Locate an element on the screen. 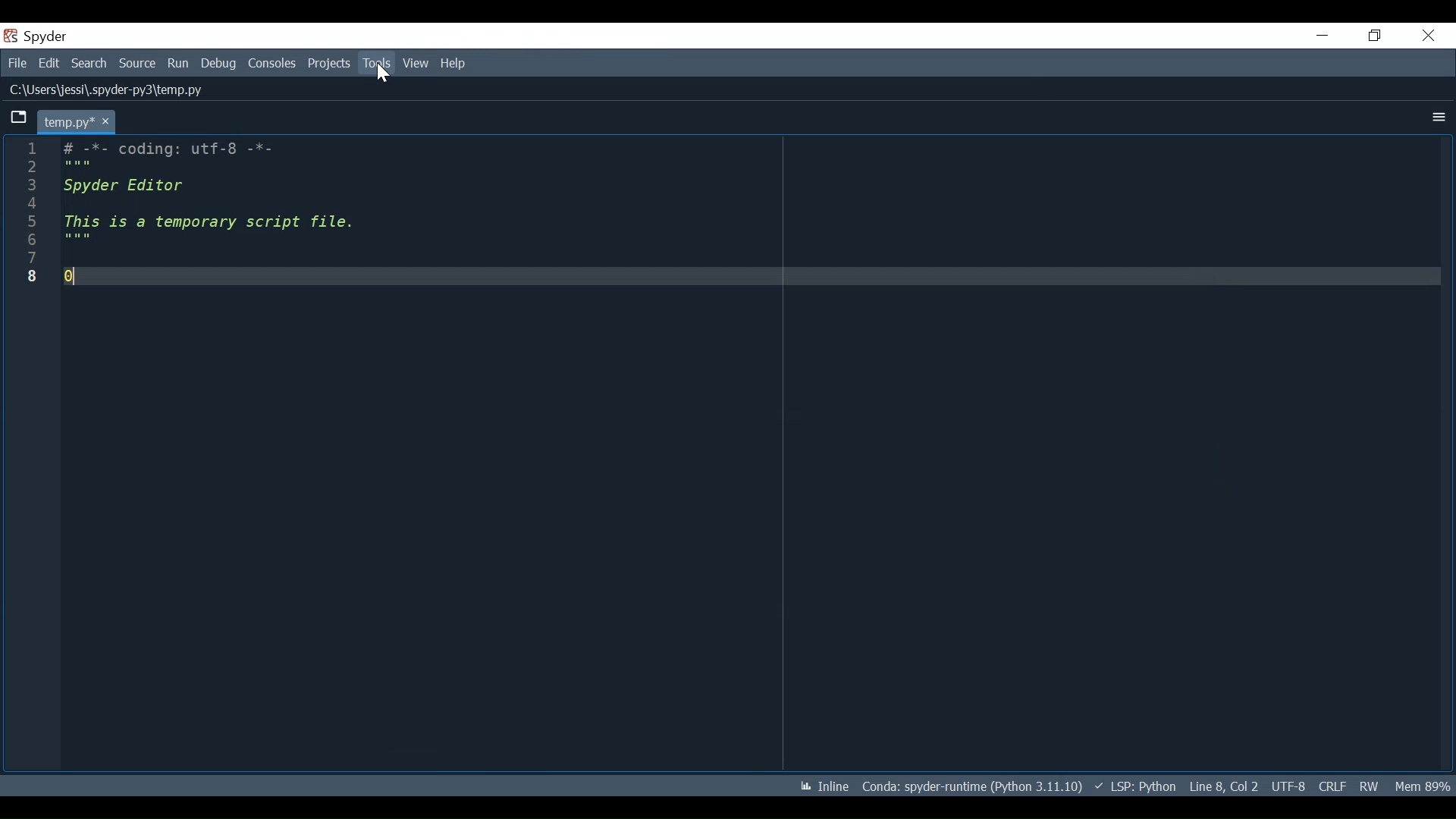  Close is located at coordinates (1427, 36).